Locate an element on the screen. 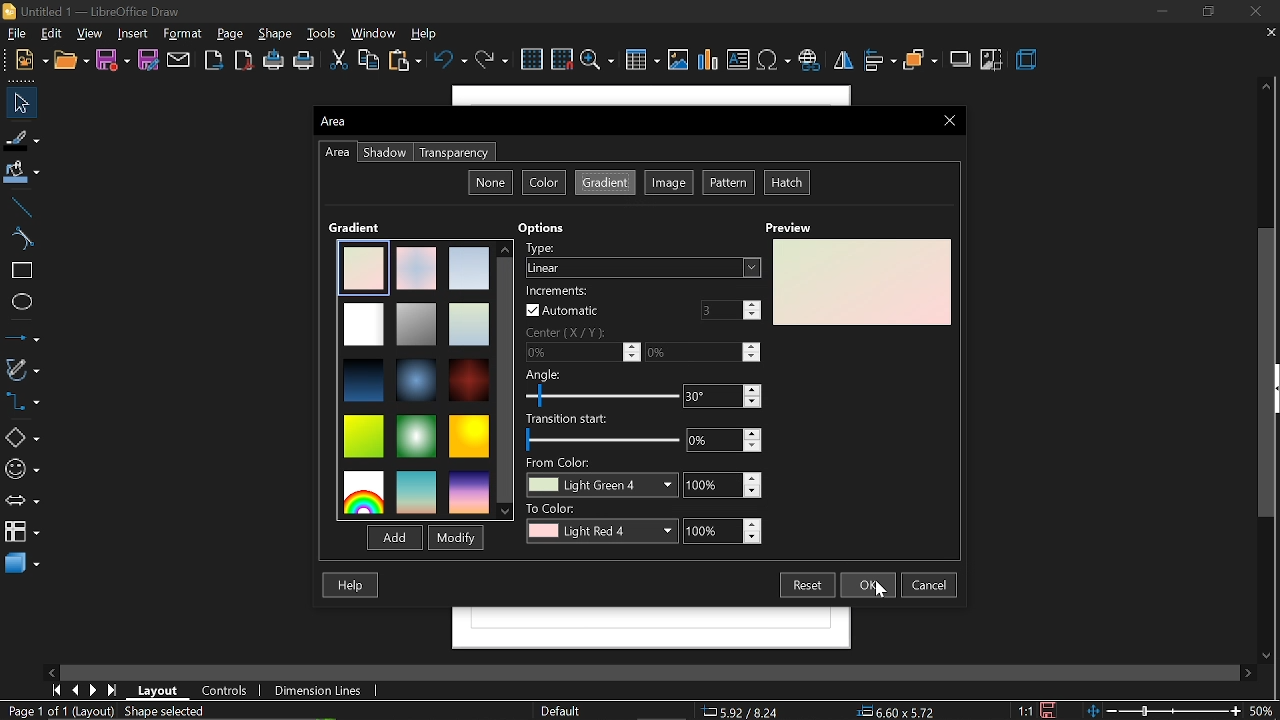  position (6.60x5.72) is located at coordinates (900, 710).